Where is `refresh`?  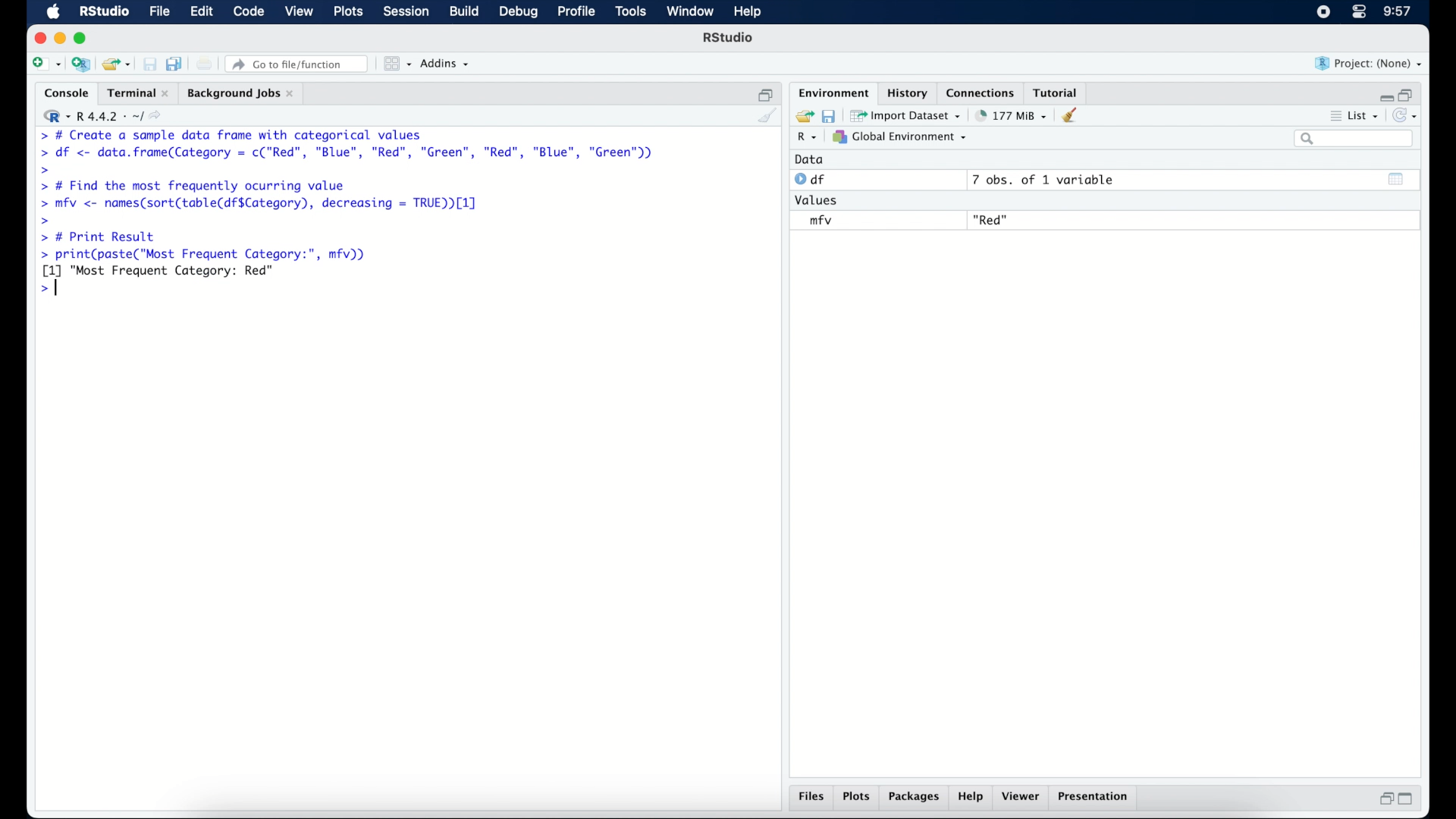 refresh is located at coordinates (1407, 115).